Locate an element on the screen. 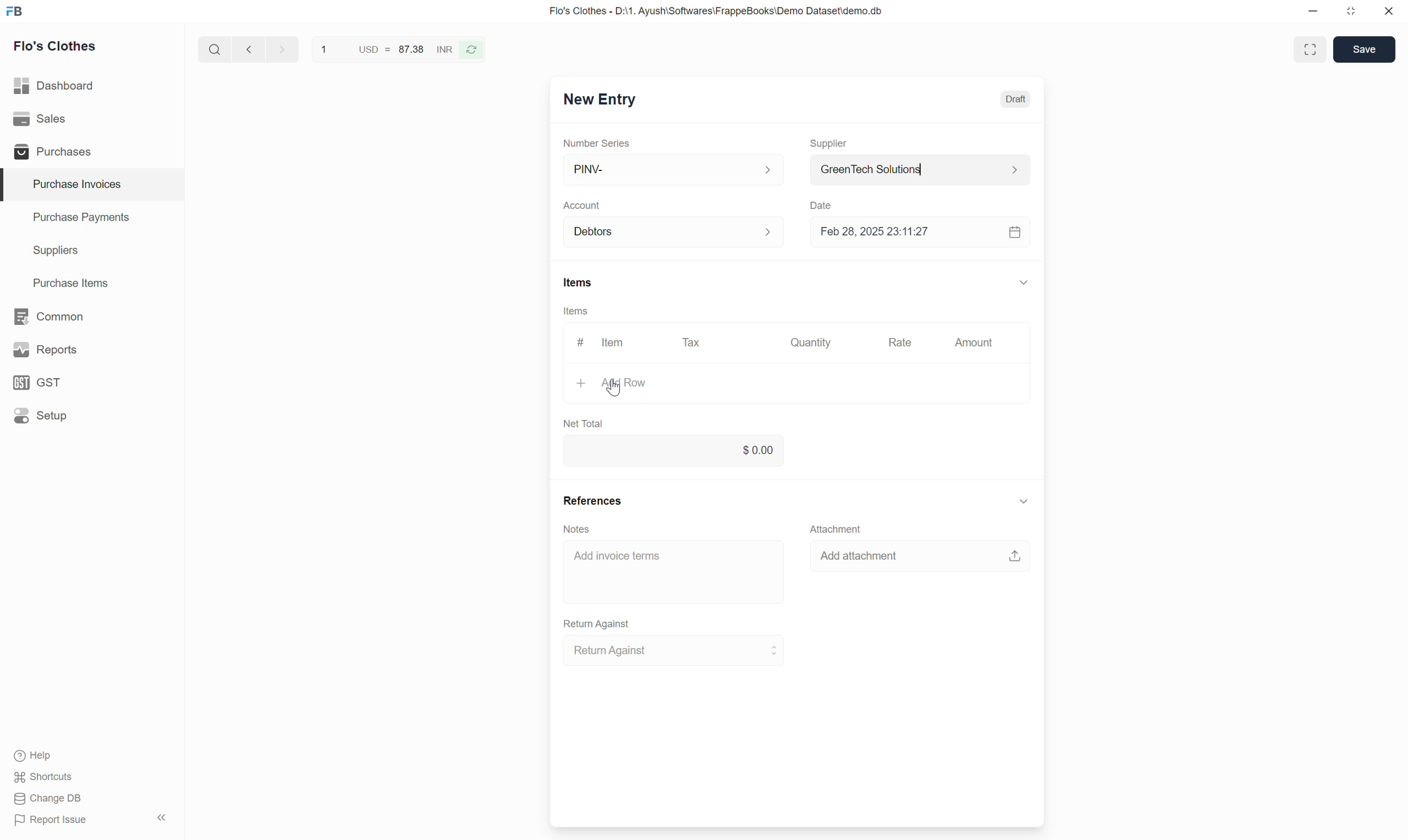 This screenshot has height=840, width=1408. Collapse is located at coordinates (1025, 282).